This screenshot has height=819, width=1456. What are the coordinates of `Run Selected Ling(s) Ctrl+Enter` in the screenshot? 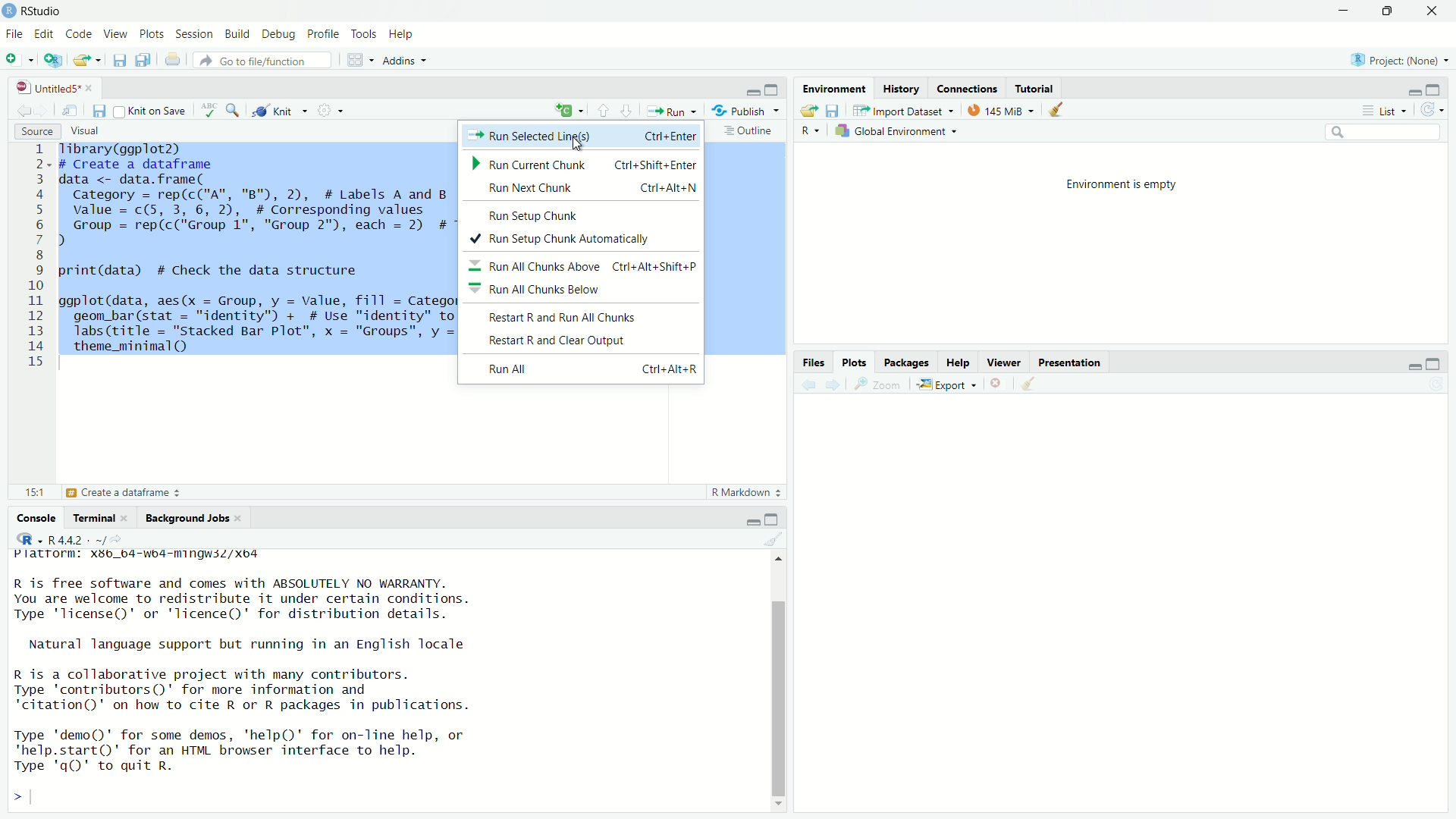 It's located at (583, 138).